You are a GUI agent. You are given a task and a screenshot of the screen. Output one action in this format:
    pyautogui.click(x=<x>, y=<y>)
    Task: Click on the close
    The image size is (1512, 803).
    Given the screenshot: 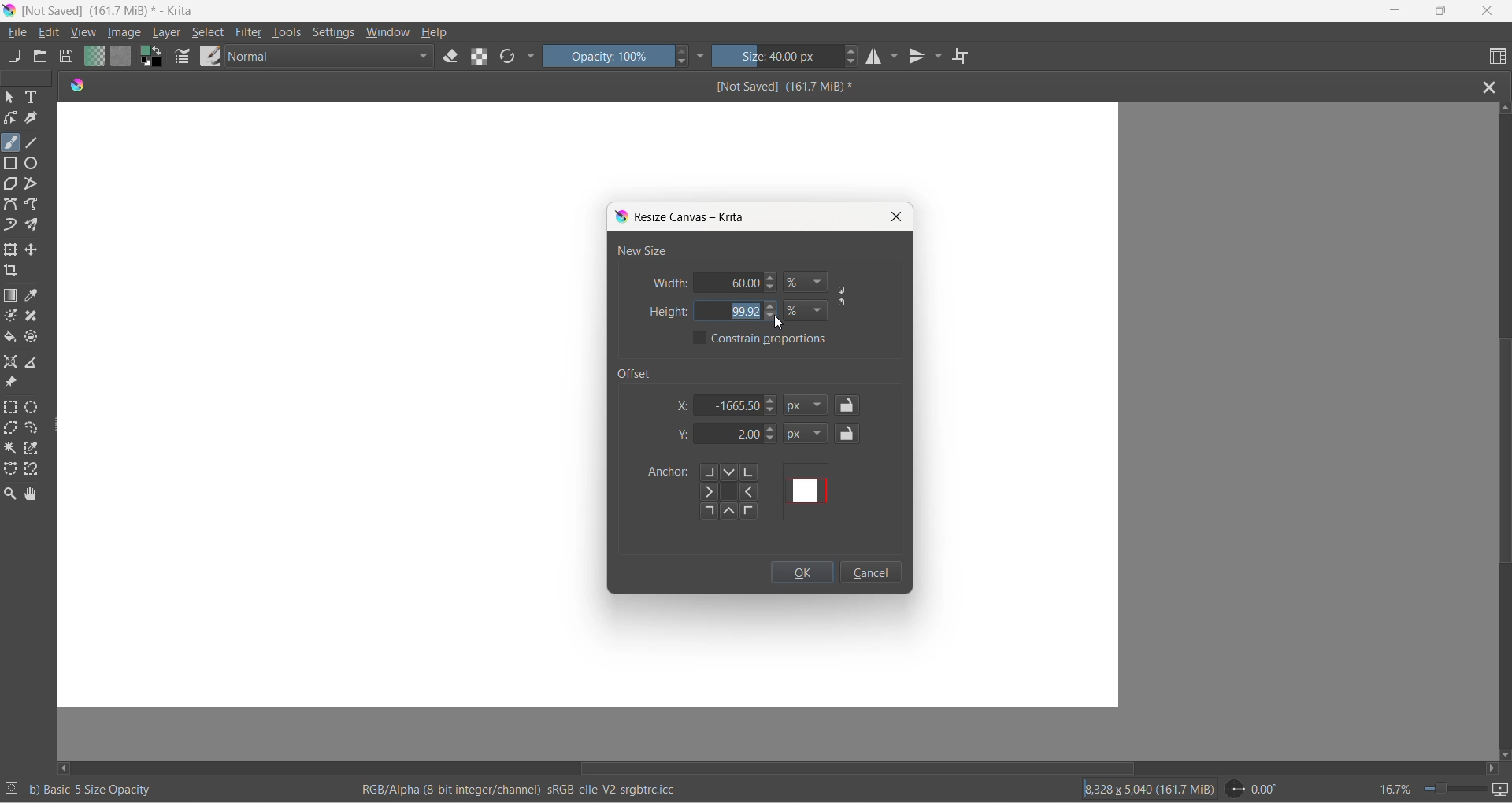 What is the action you would take?
    pyautogui.click(x=899, y=216)
    